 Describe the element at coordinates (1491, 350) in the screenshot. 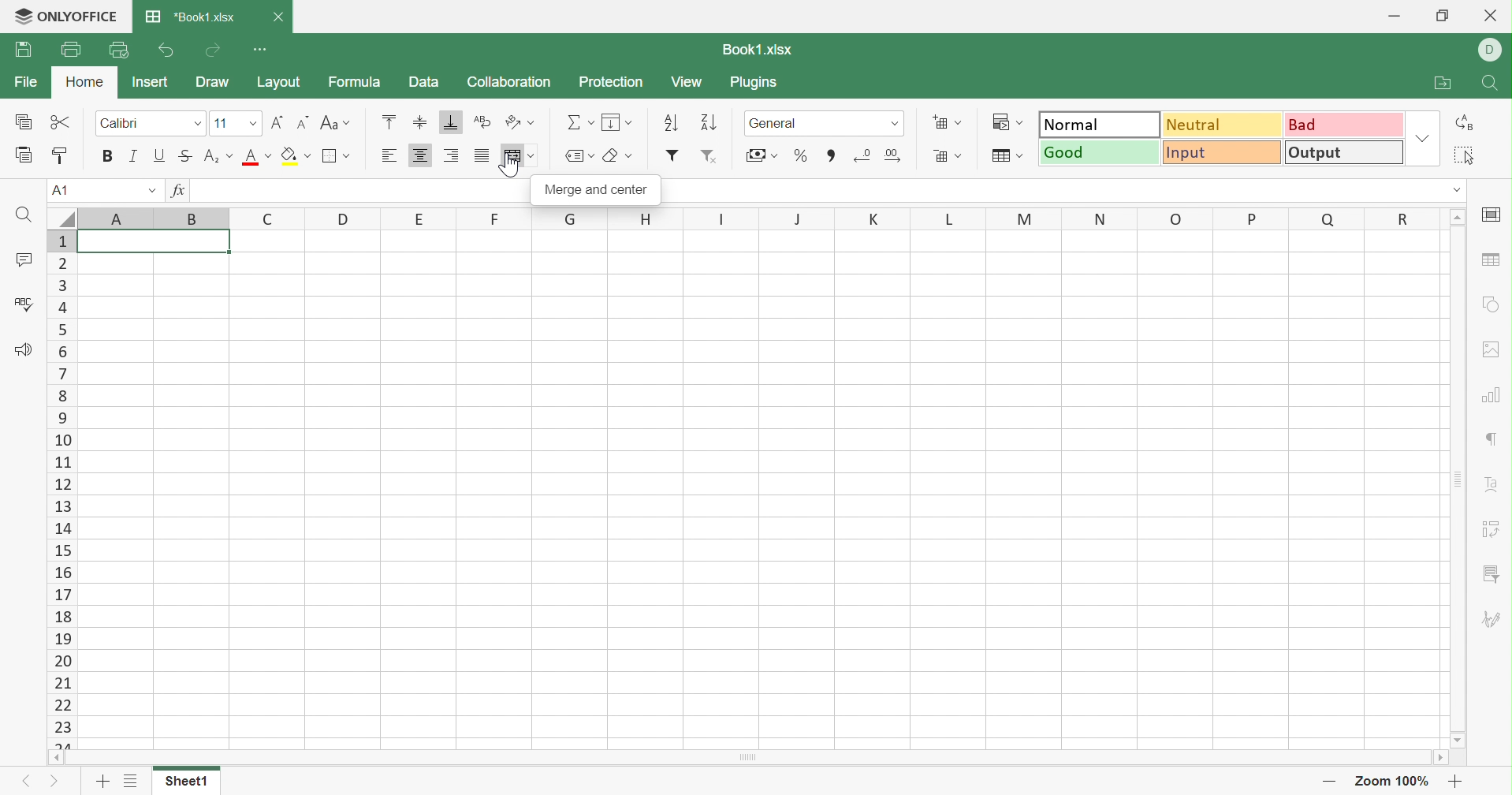

I see `Image settings` at that location.